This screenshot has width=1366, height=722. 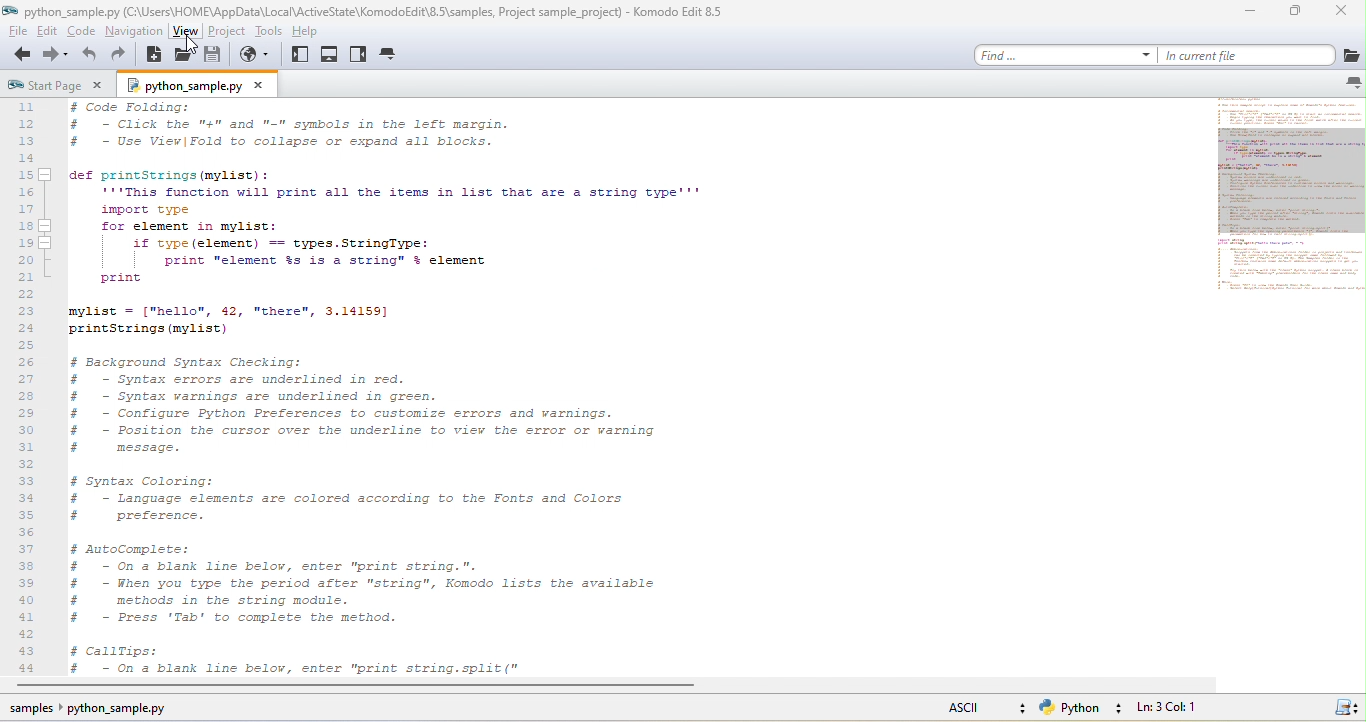 I want to click on title, so click(x=368, y=10).